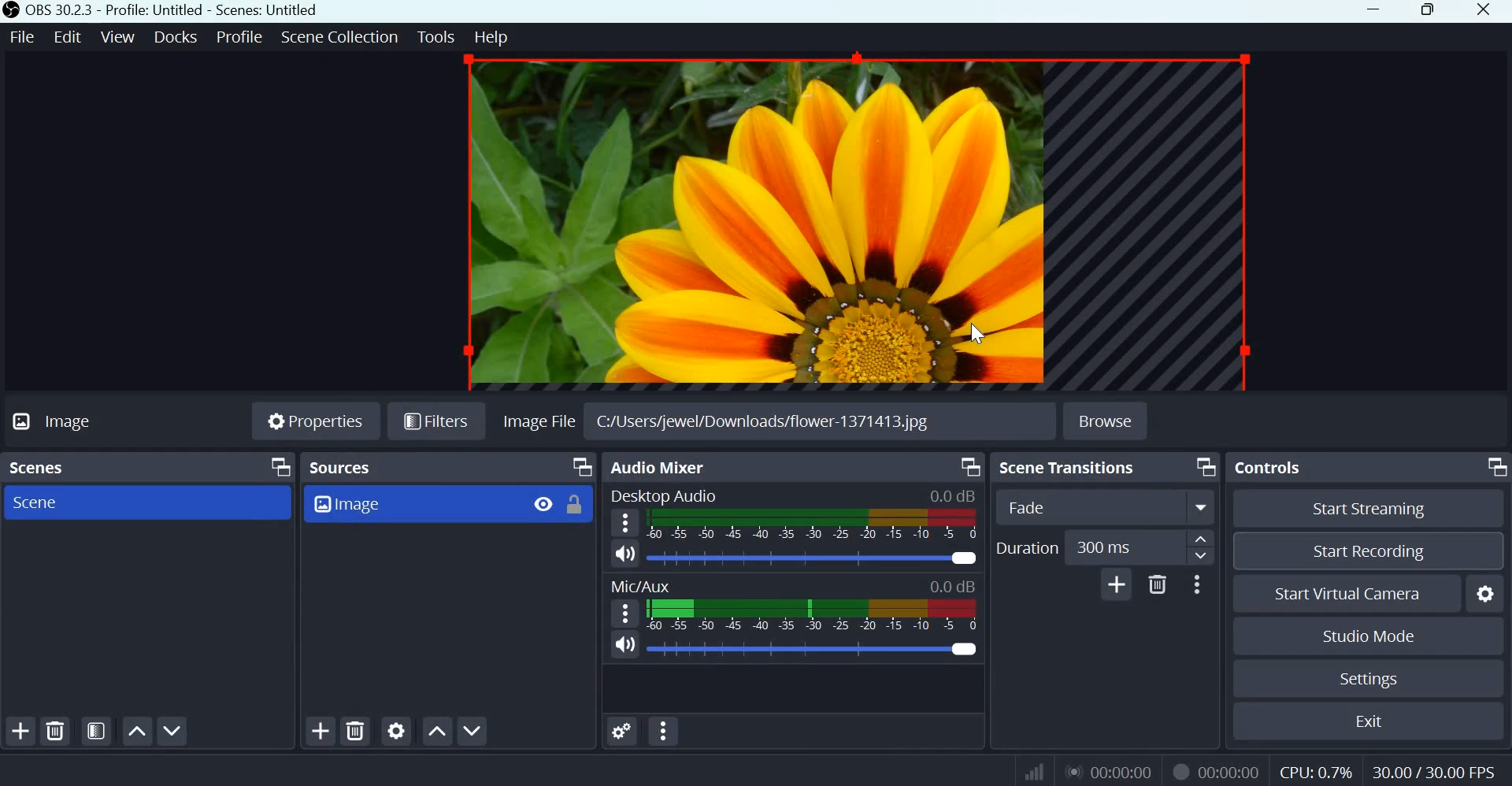  What do you see at coordinates (1370, 719) in the screenshot?
I see `Exit` at bounding box center [1370, 719].